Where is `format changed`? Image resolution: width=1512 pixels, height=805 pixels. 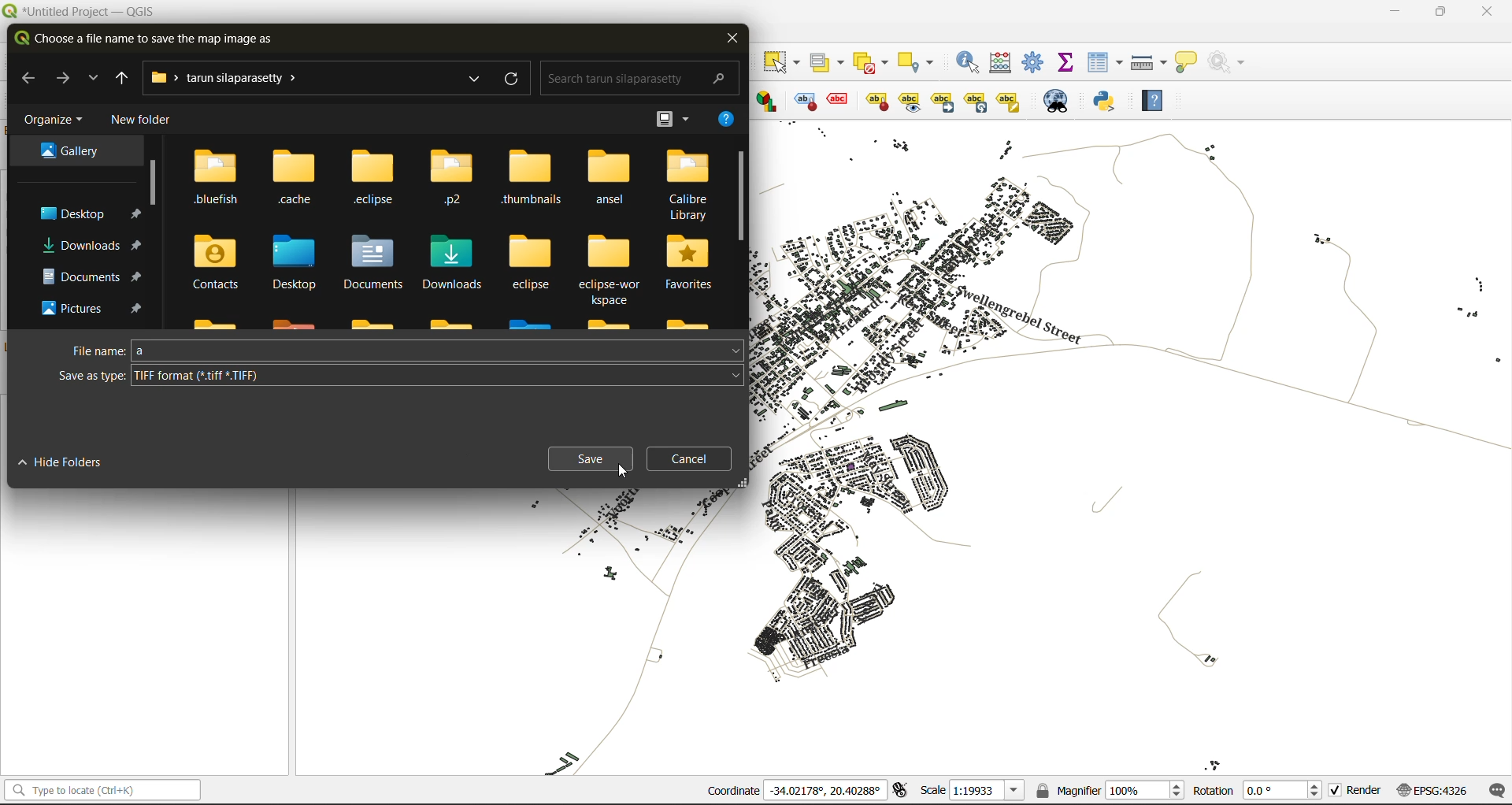
format changed is located at coordinates (167, 377).